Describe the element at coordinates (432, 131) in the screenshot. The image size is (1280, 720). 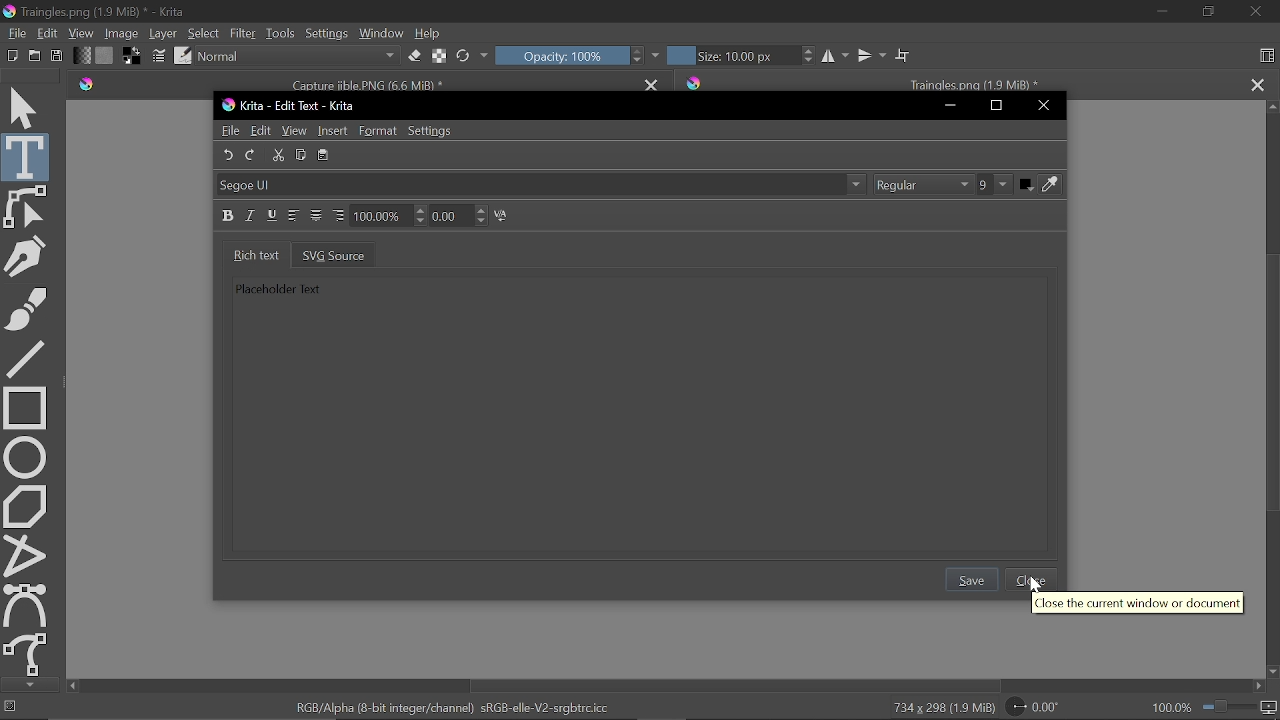
I see `Settings` at that location.